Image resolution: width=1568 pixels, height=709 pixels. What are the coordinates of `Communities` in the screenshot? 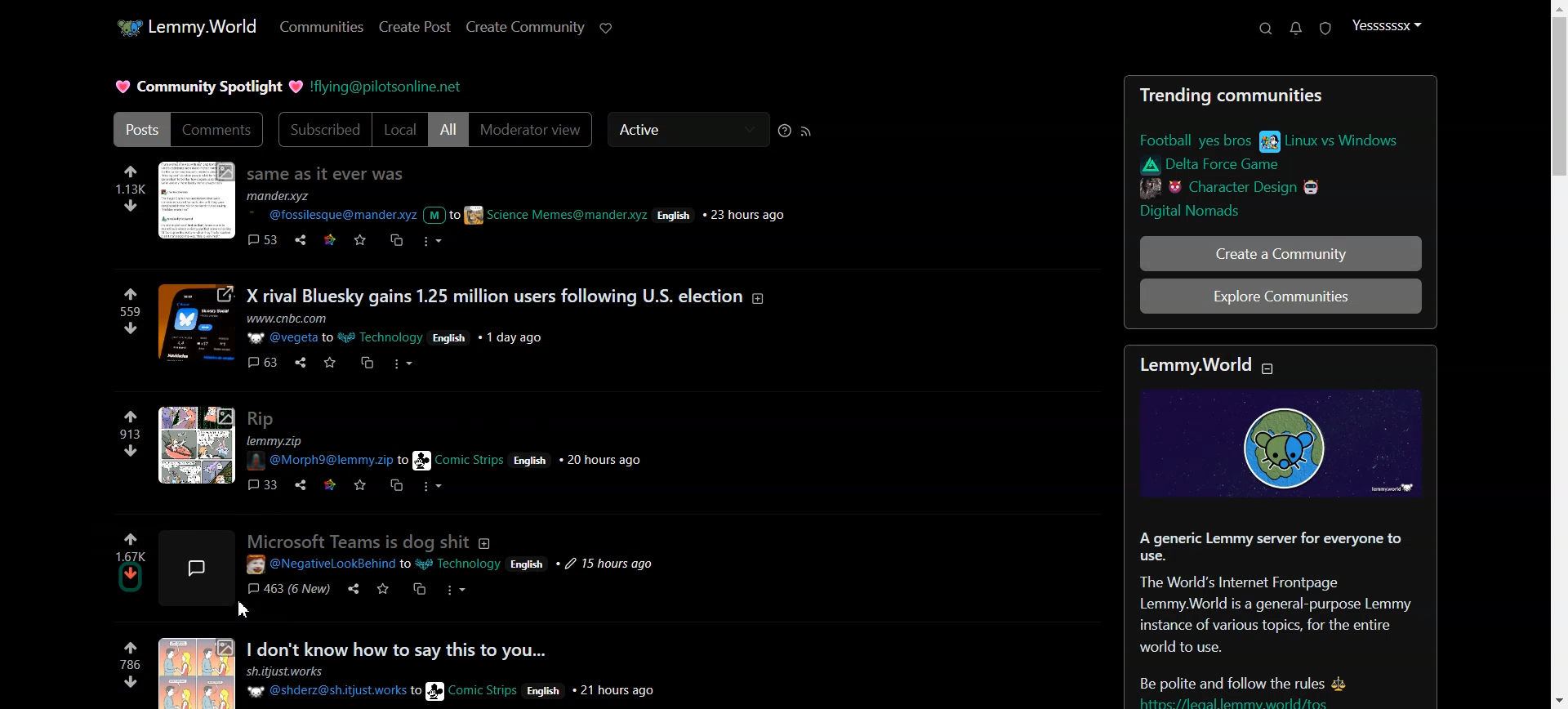 It's located at (321, 27).